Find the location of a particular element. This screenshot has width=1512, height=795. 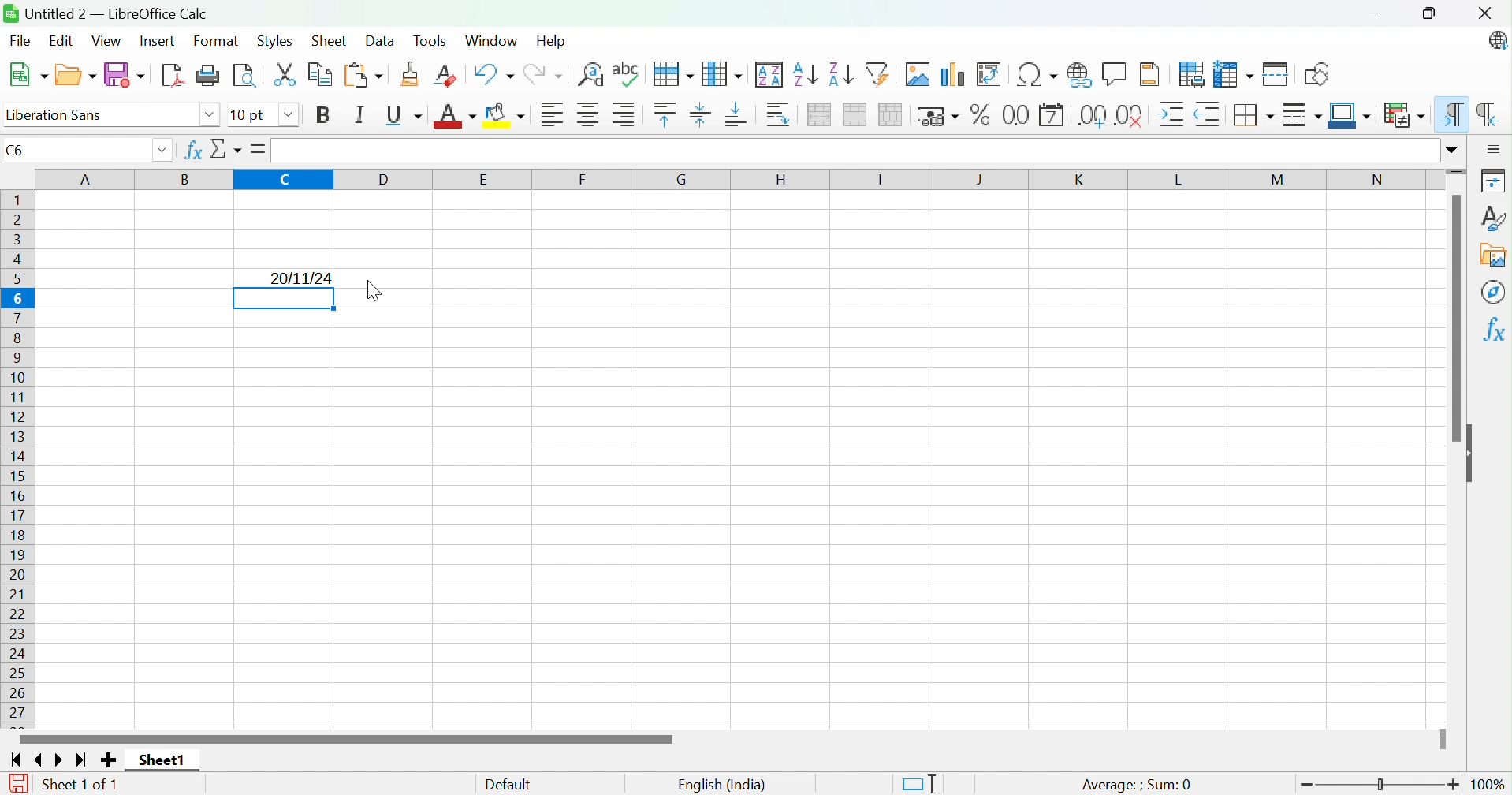

Font name is located at coordinates (101, 117).